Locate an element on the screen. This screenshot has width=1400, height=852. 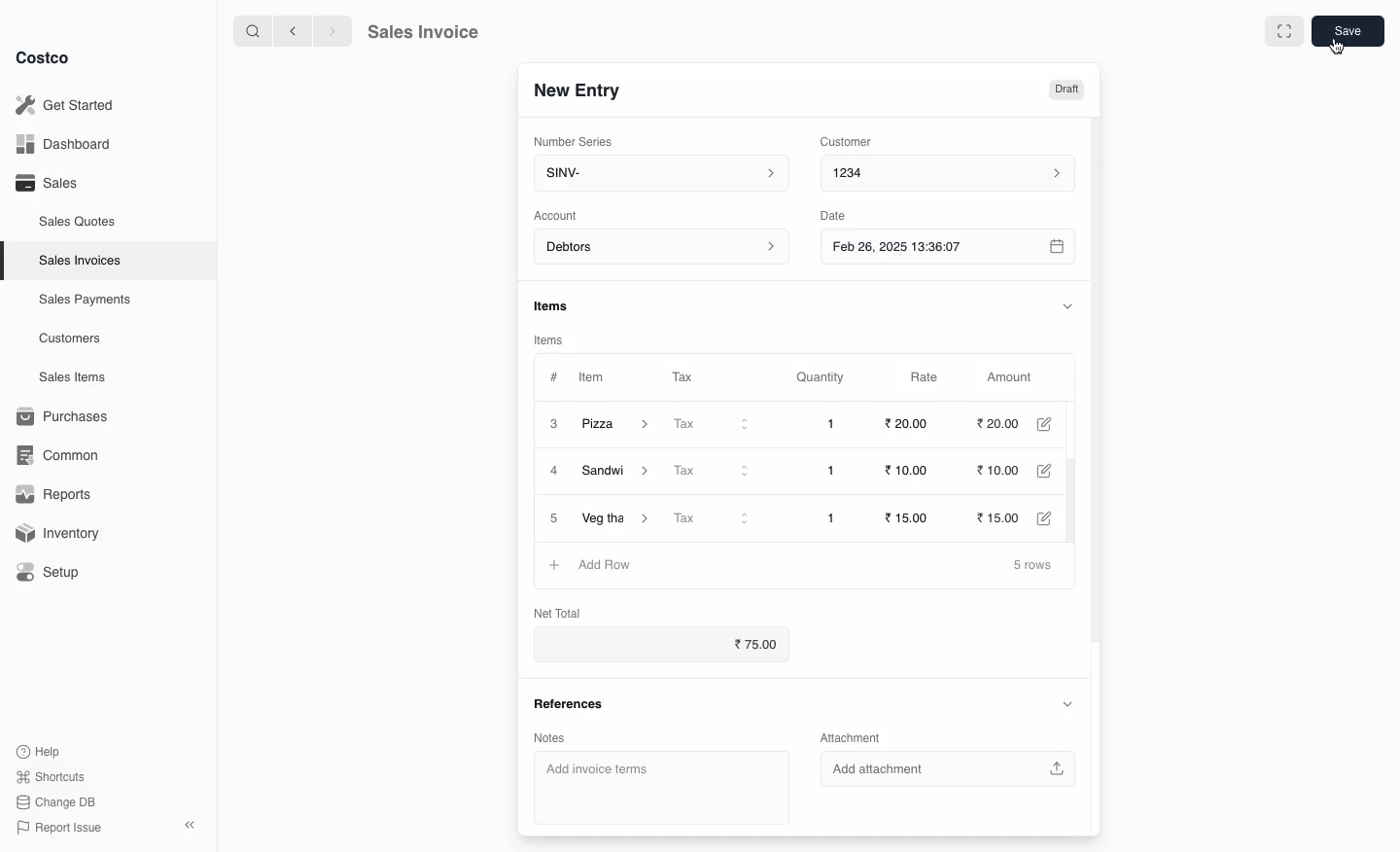
Back is located at coordinates (291, 31).